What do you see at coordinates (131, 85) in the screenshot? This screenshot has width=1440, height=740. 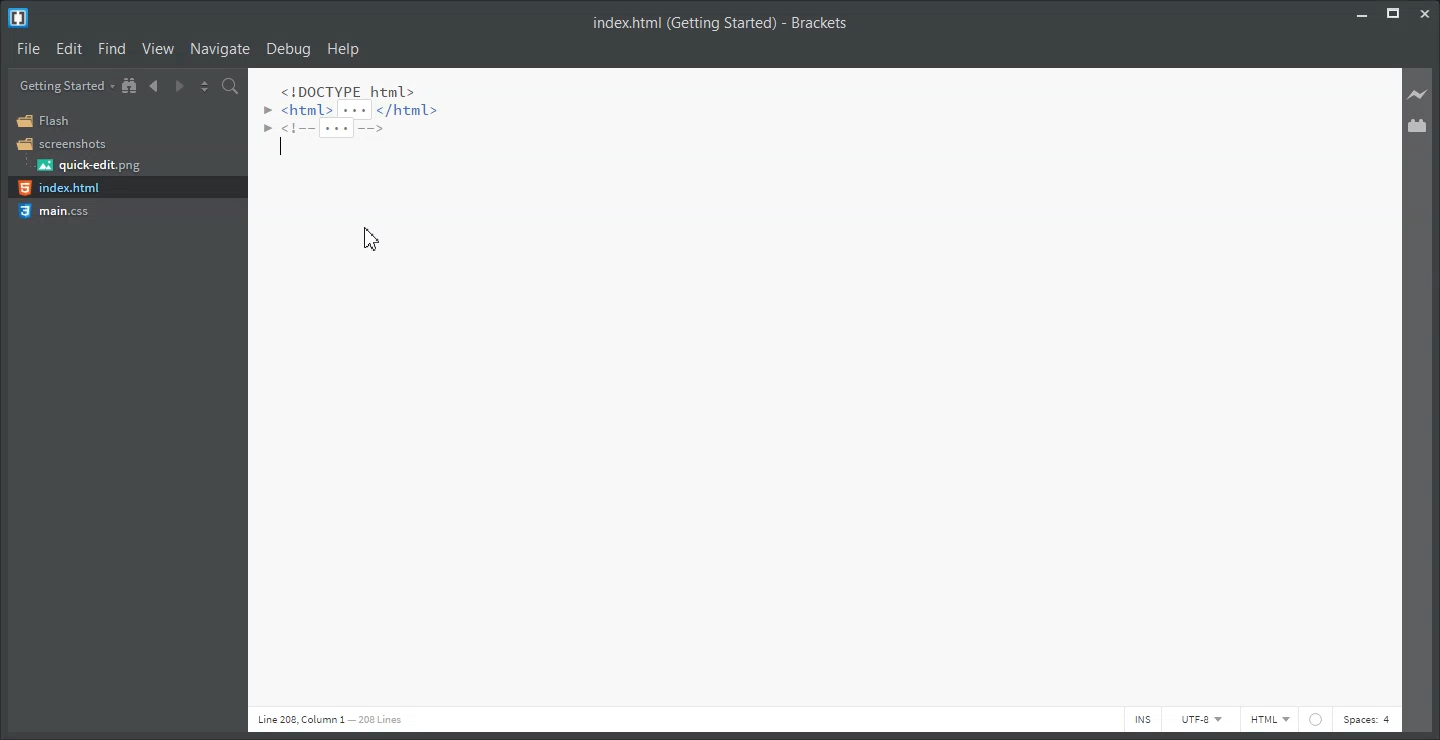 I see `Show in file tree` at bounding box center [131, 85].